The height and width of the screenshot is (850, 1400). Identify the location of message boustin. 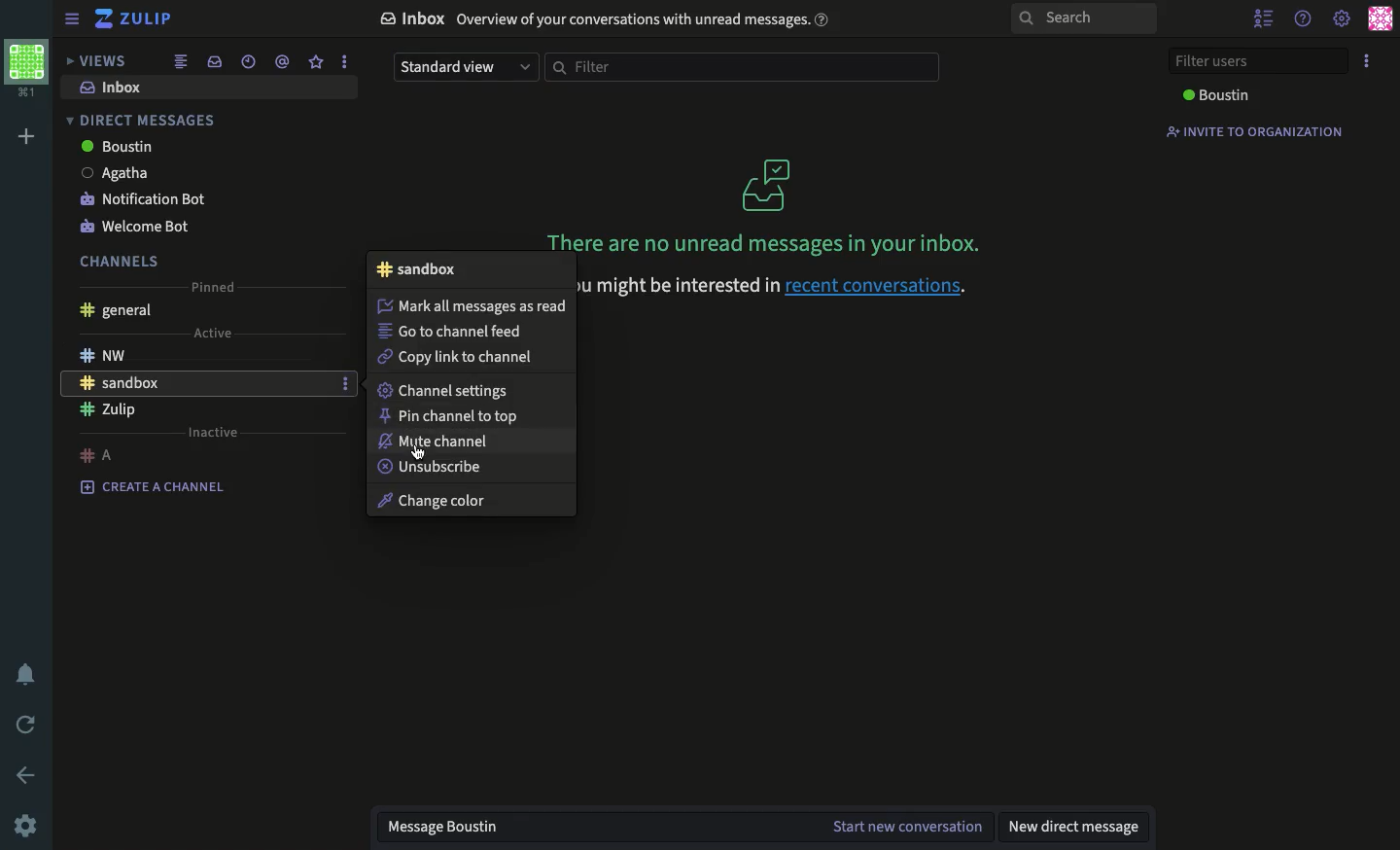
(454, 829).